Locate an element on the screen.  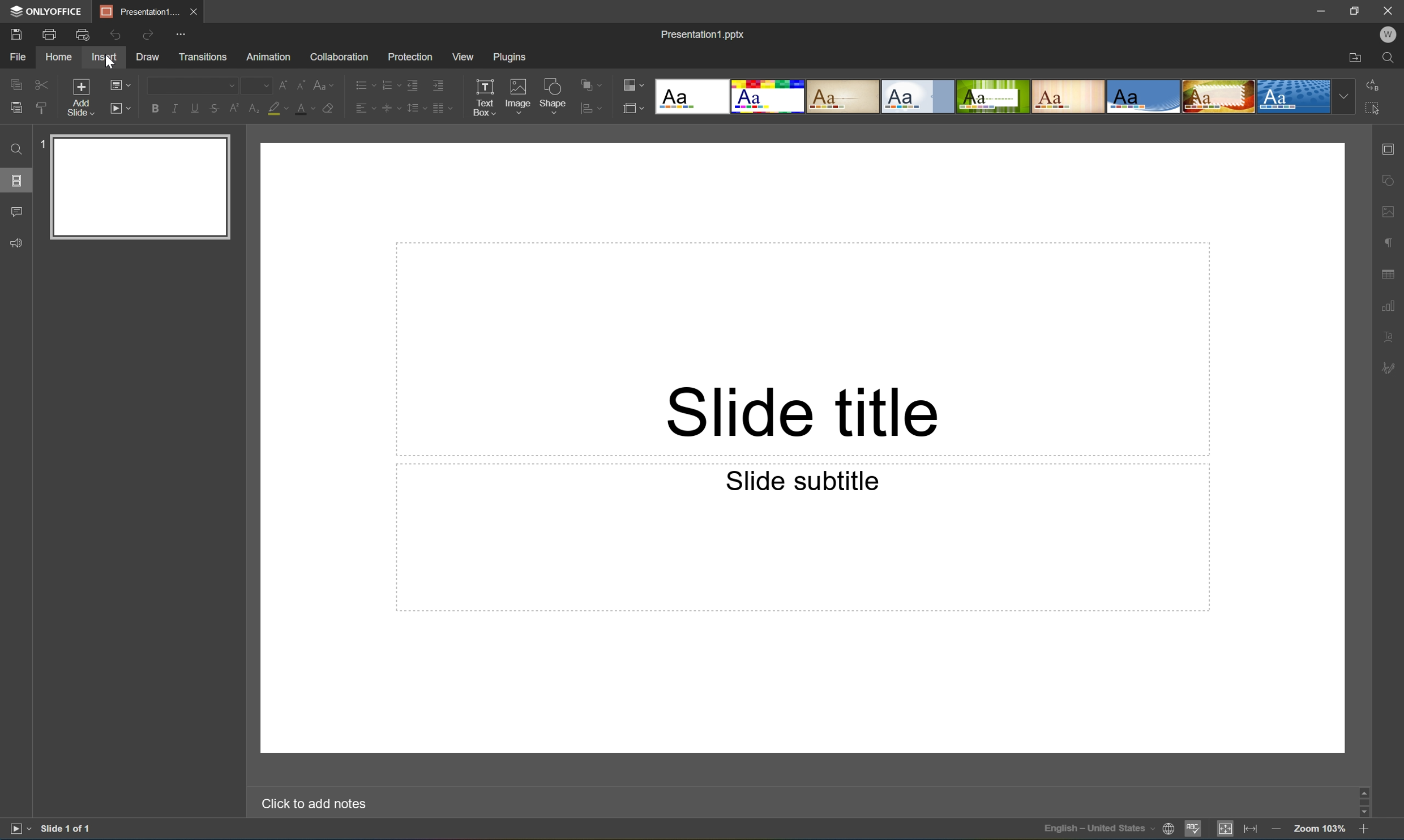
Start slideshow is located at coordinates (118, 109).